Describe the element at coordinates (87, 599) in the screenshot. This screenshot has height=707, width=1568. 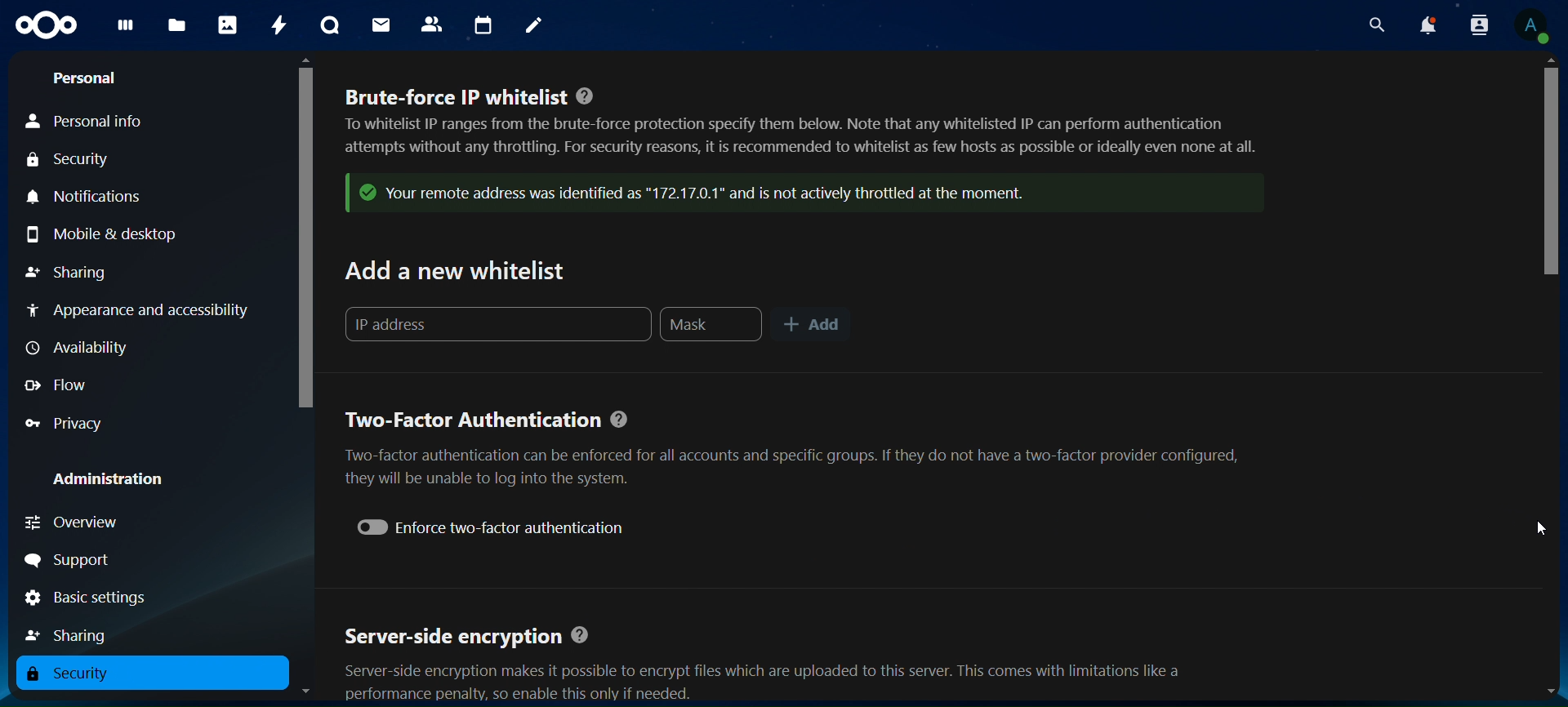
I see `basic settings` at that location.